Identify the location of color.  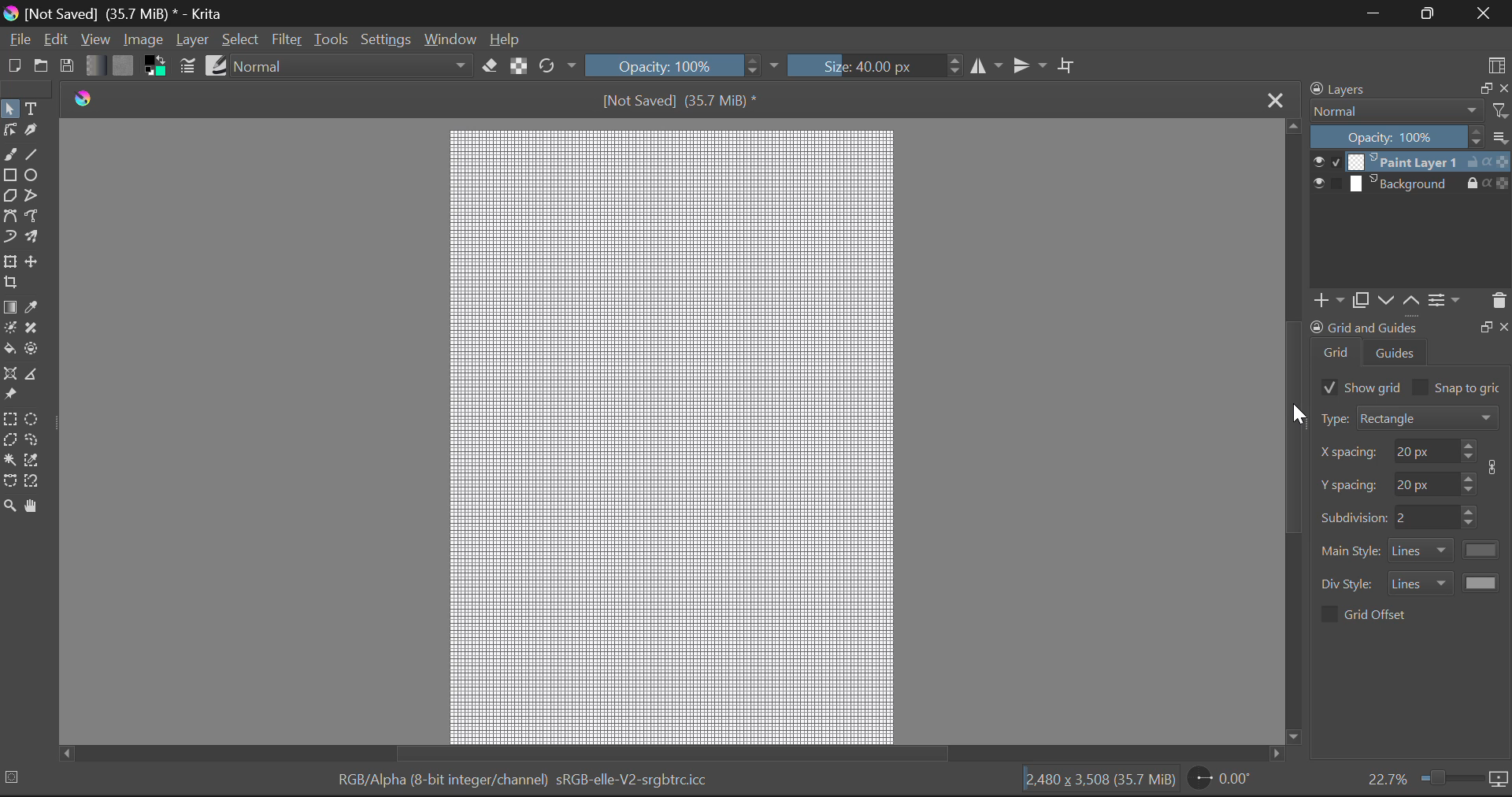
(1483, 550).